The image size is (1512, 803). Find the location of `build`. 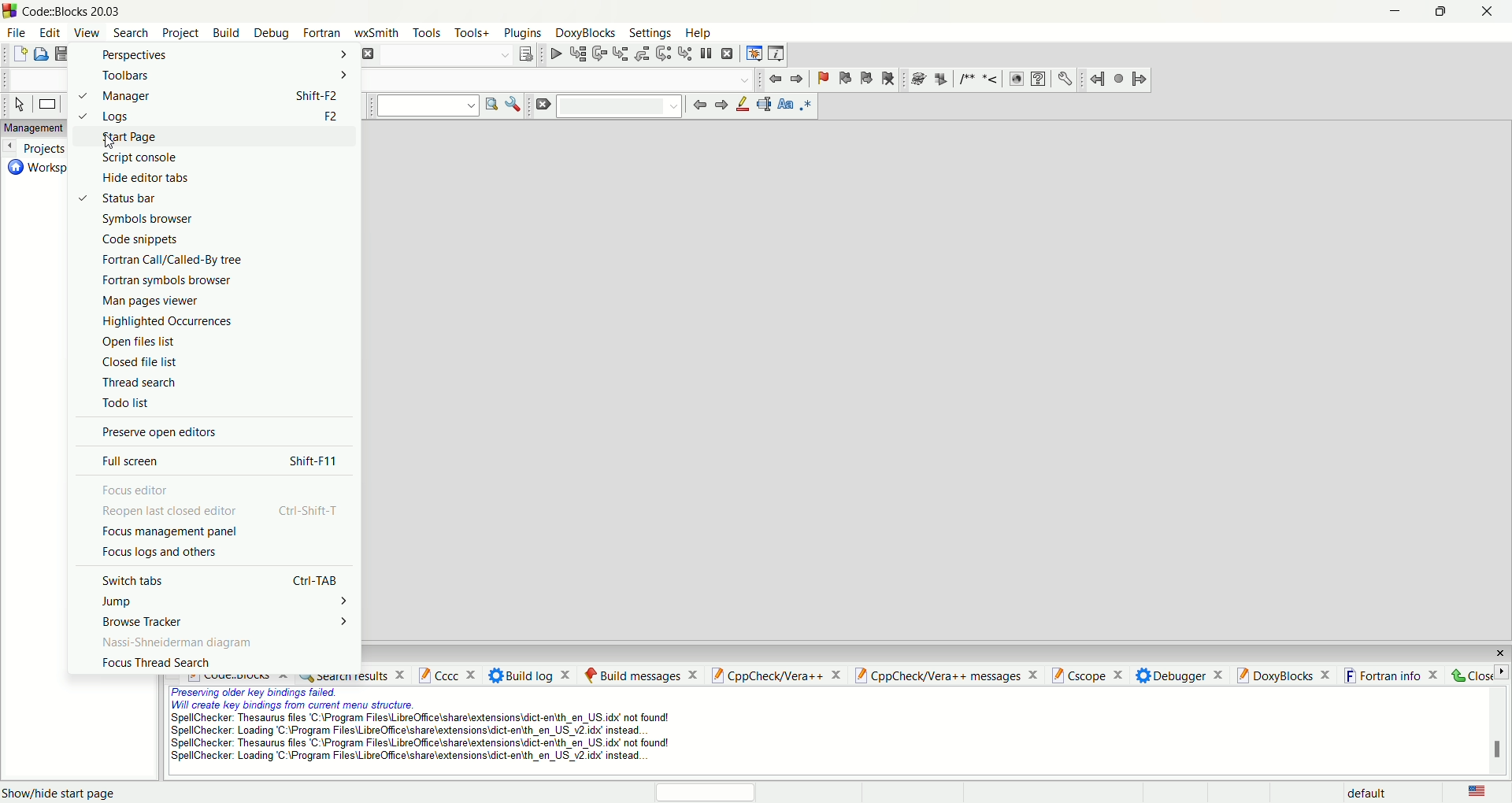

build is located at coordinates (224, 33).